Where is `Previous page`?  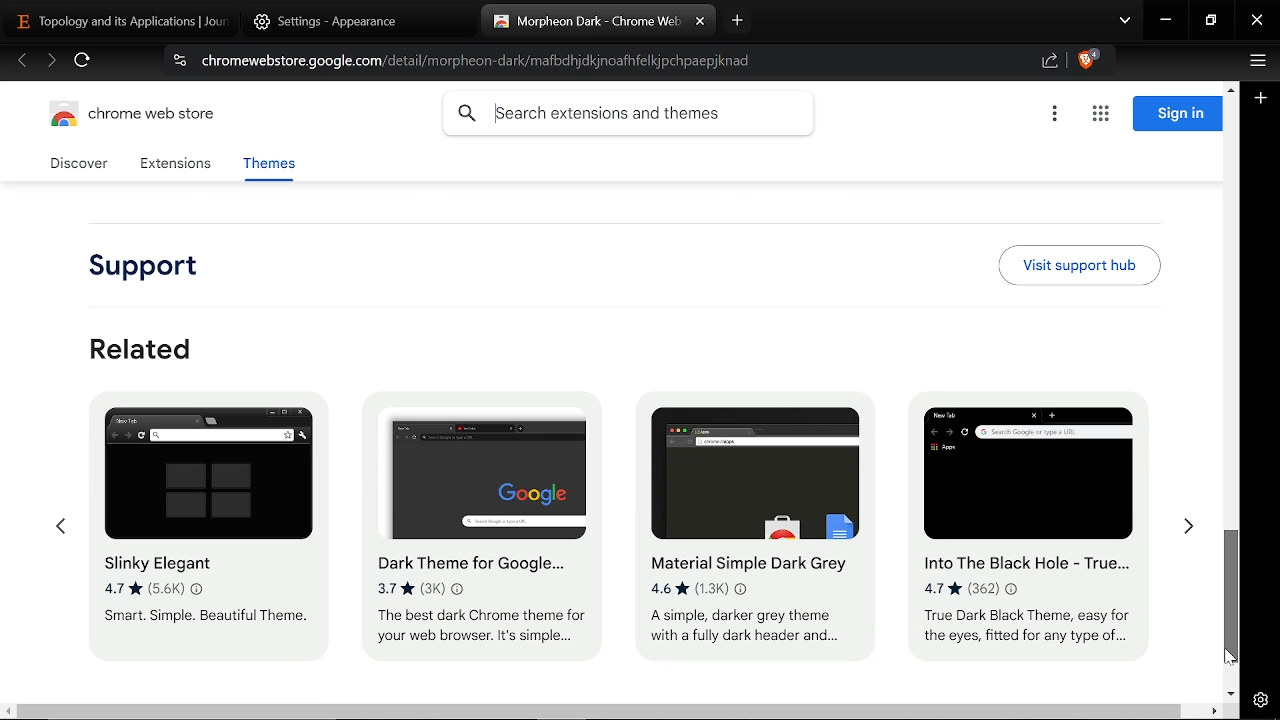 Previous page is located at coordinates (22, 62).